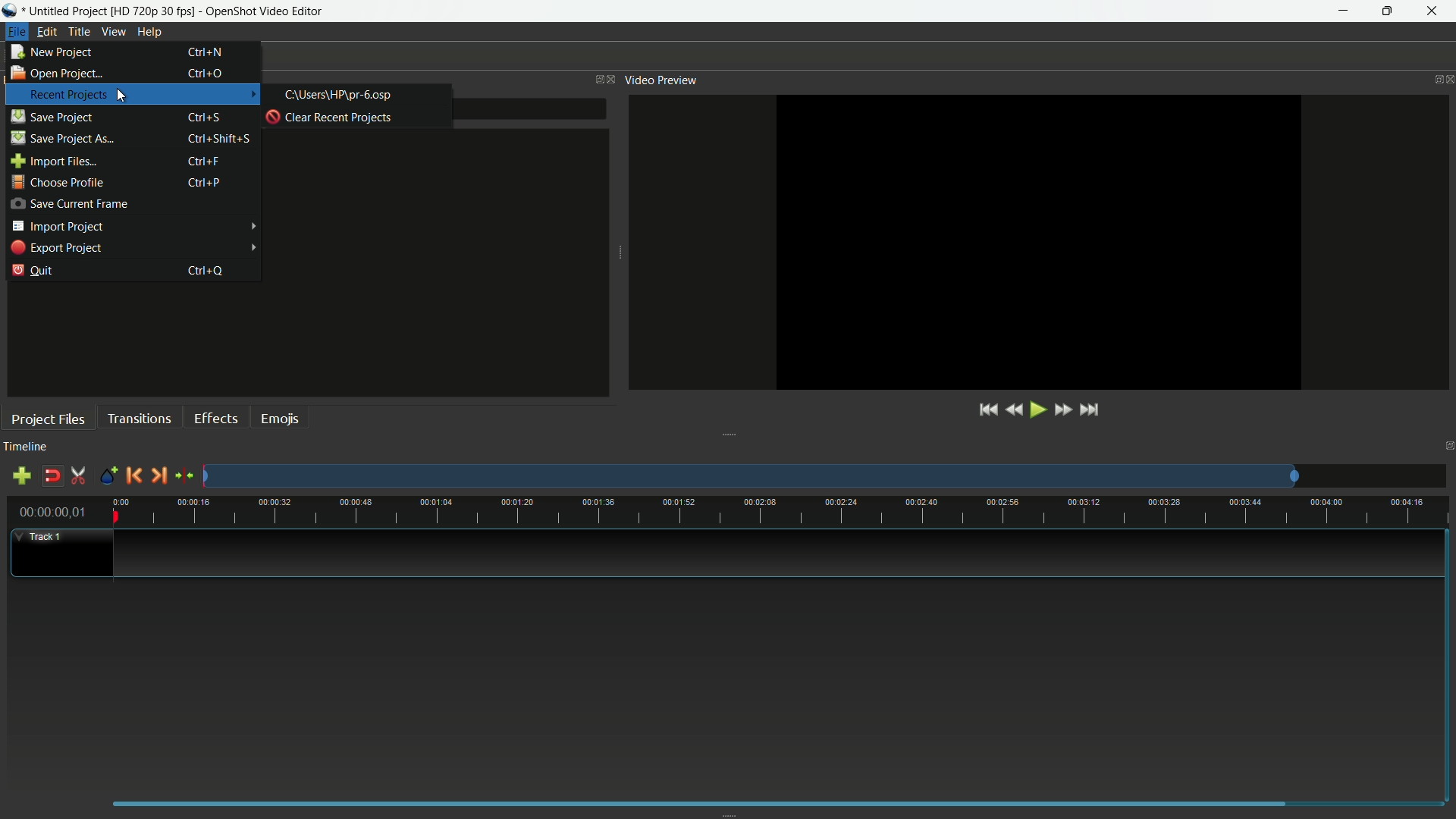 The image size is (1456, 819). What do you see at coordinates (1447, 446) in the screenshot?
I see `close timeline` at bounding box center [1447, 446].